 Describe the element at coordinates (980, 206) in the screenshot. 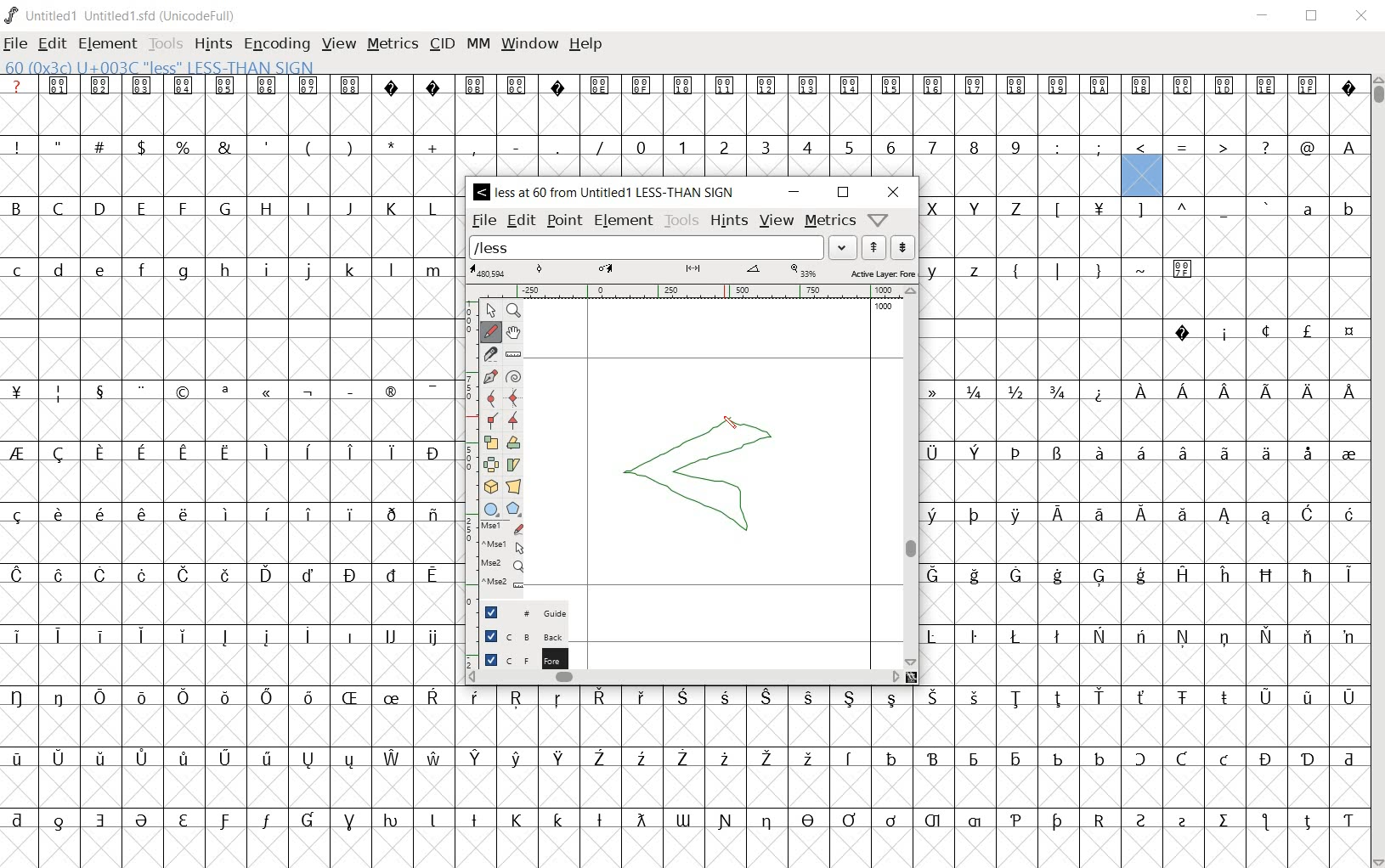

I see `capital letters X Y Y` at that location.